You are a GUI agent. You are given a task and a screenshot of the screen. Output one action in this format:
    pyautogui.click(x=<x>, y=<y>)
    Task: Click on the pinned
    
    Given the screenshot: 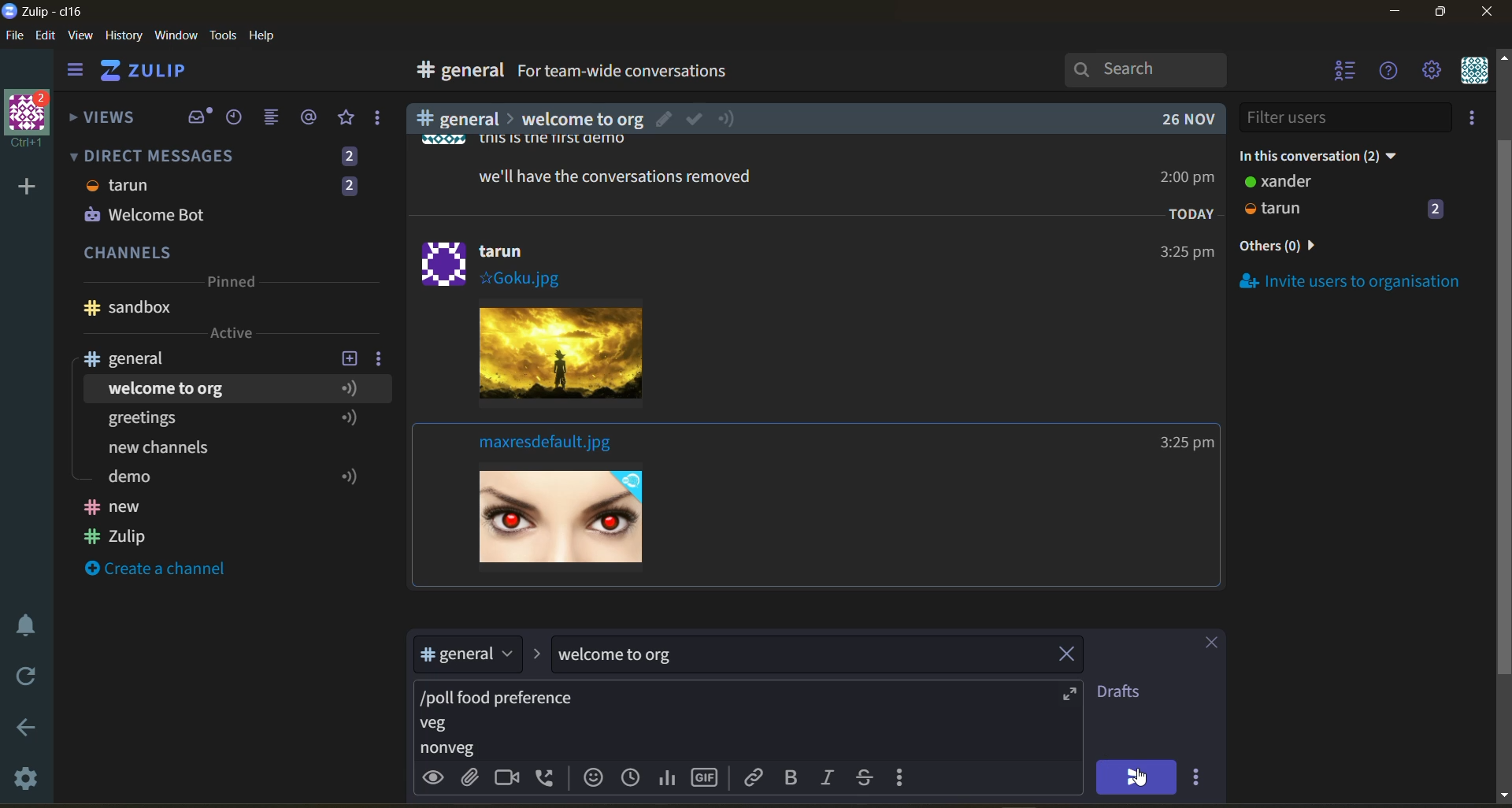 What is the action you would take?
    pyautogui.click(x=230, y=284)
    